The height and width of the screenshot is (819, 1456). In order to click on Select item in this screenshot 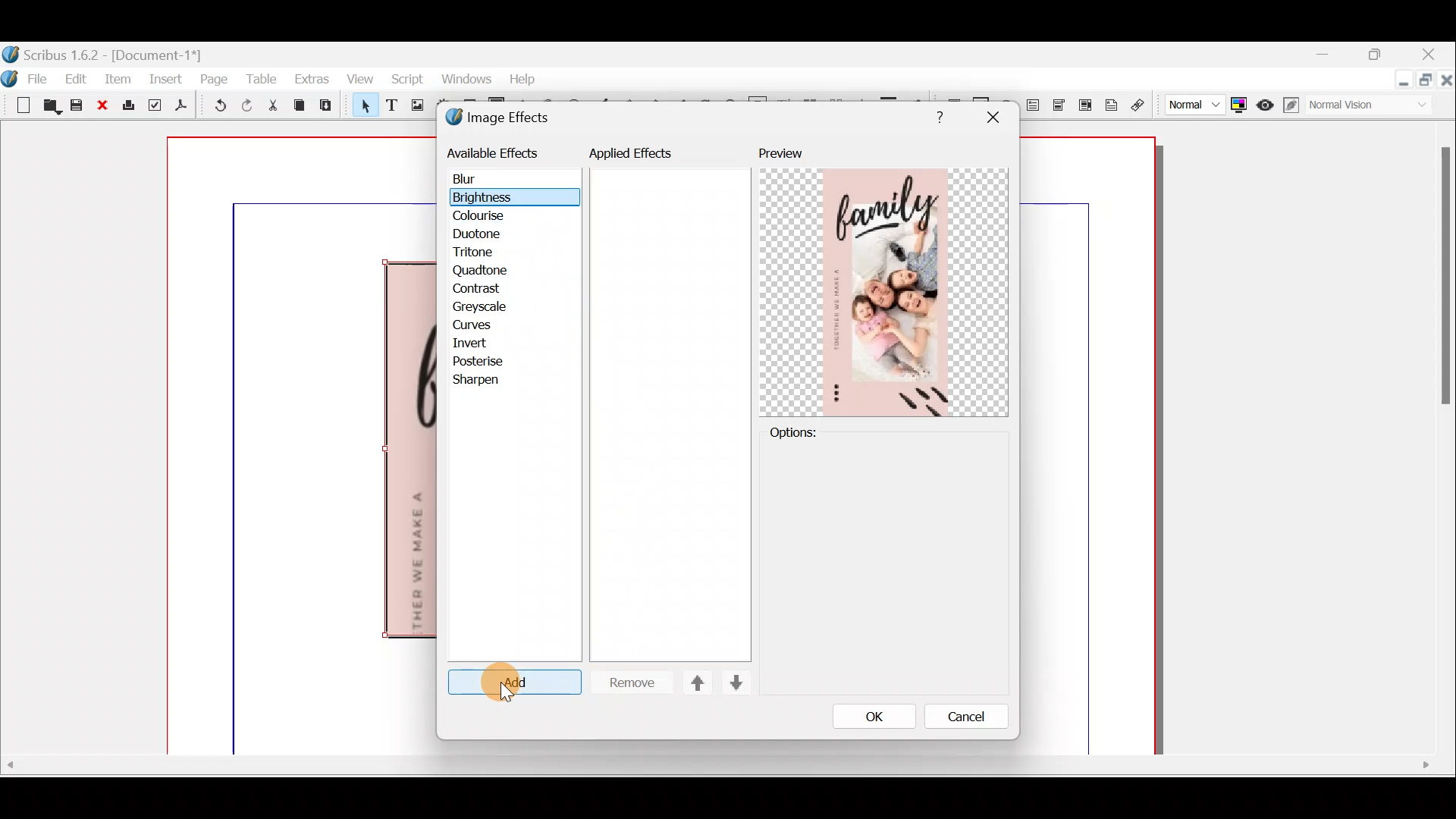, I will do `click(362, 108)`.